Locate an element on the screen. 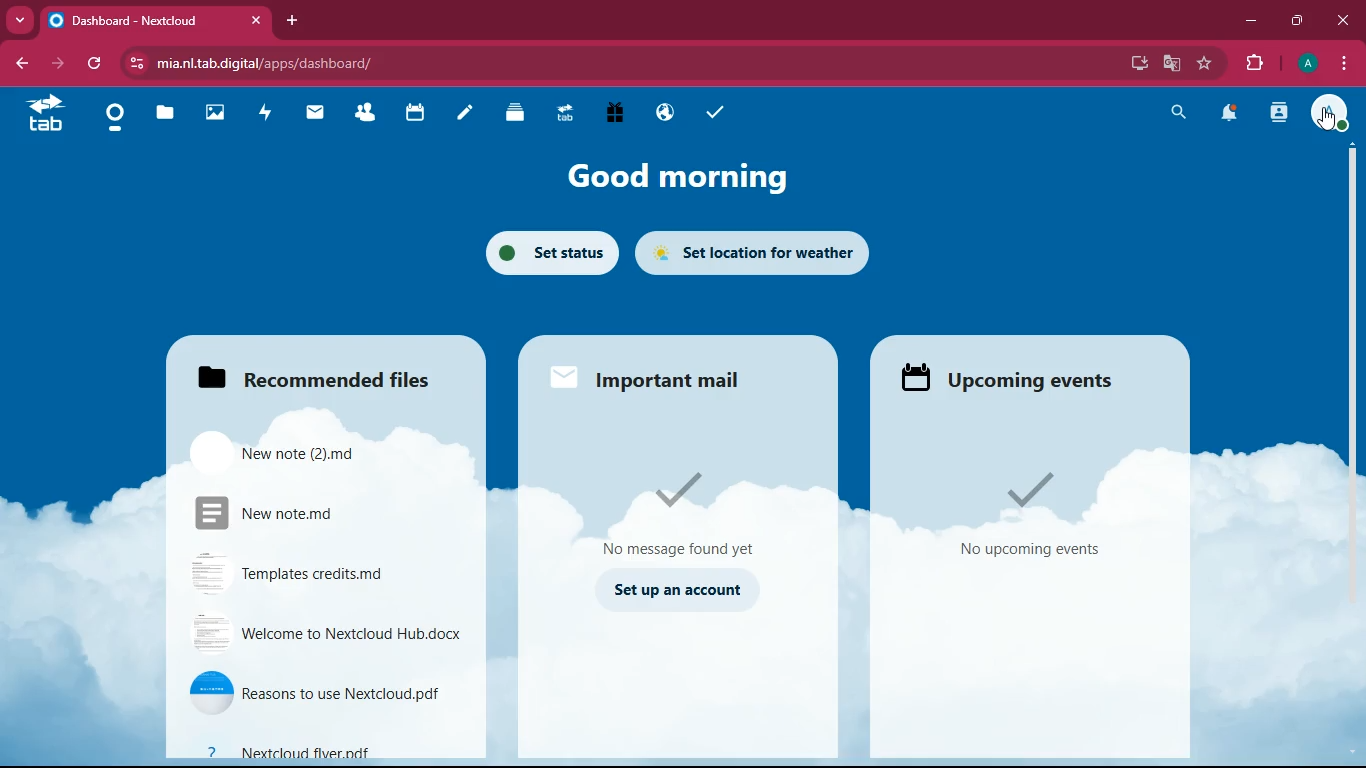 Image resolution: width=1366 pixels, height=768 pixels. good morning is located at coordinates (676, 172).